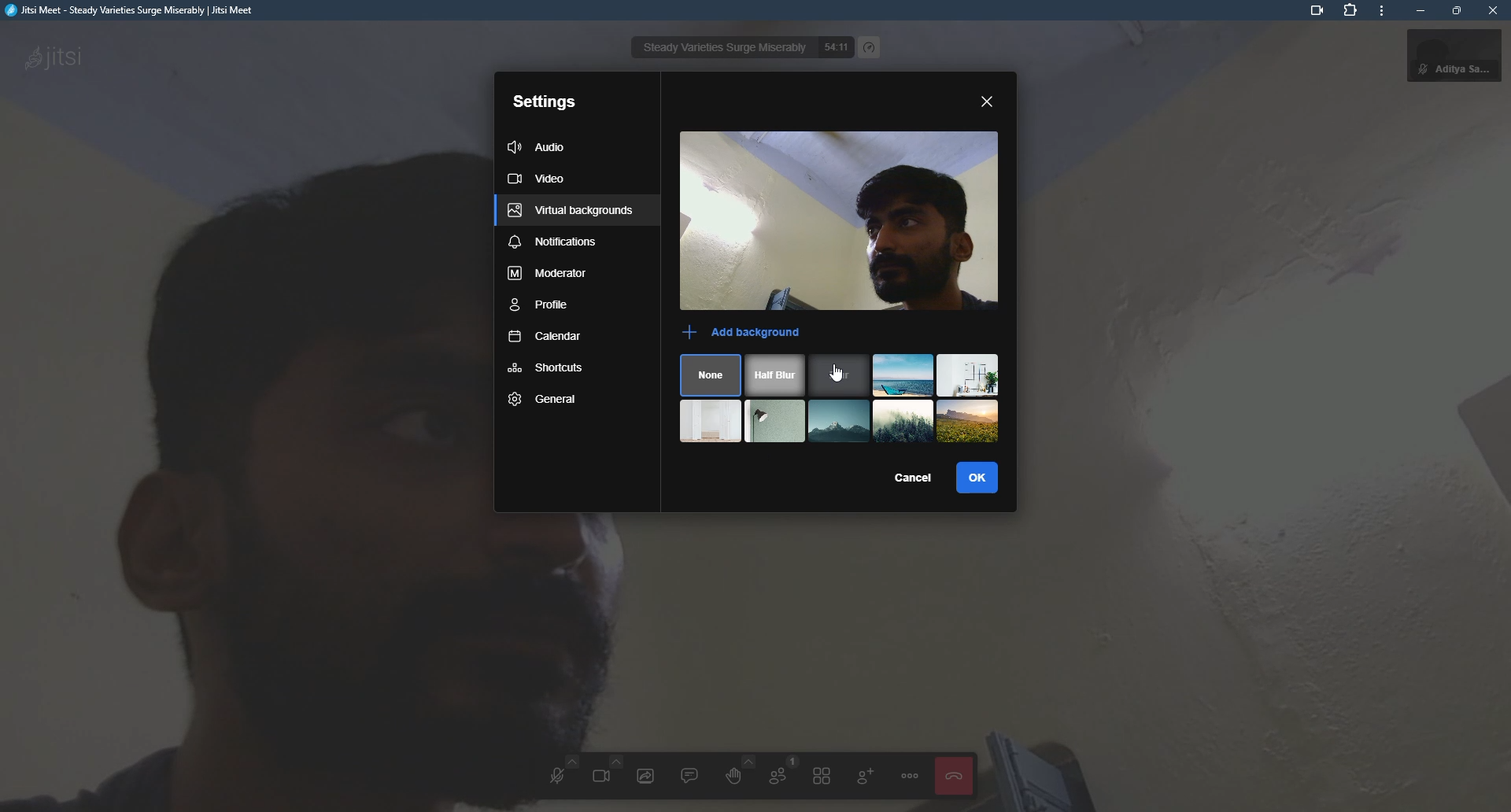 Image resolution: width=1511 pixels, height=812 pixels. What do you see at coordinates (689, 774) in the screenshot?
I see `open chat` at bounding box center [689, 774].